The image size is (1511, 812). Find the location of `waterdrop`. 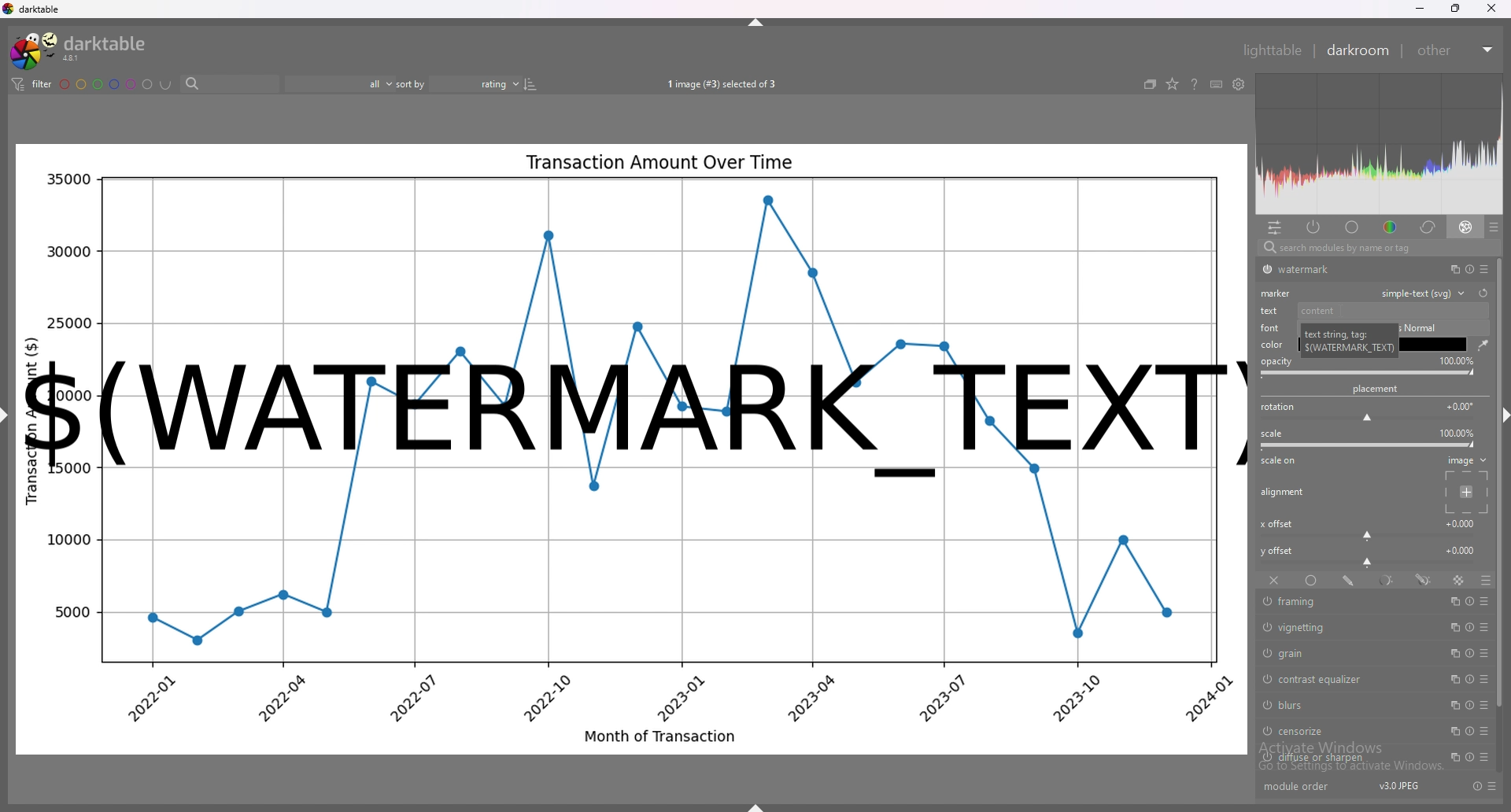

waterdrop is located at coordinates (1482, 345).